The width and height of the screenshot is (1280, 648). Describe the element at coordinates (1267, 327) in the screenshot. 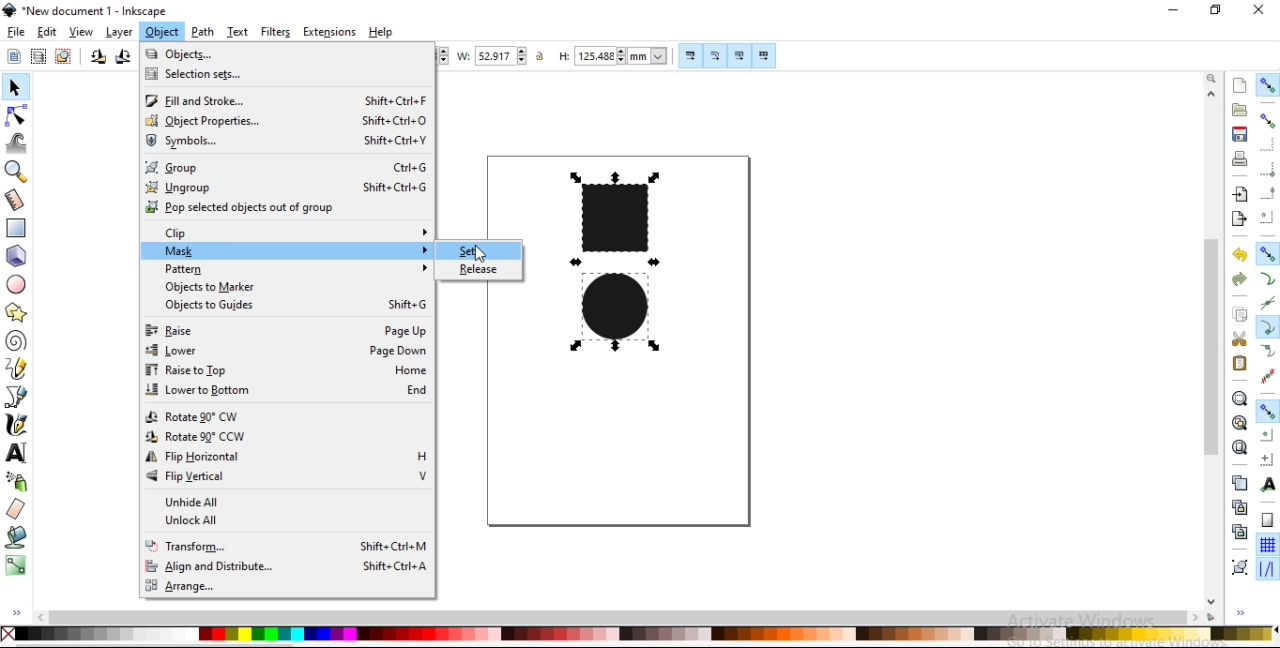

I see `snap cusp nodes` at that location.